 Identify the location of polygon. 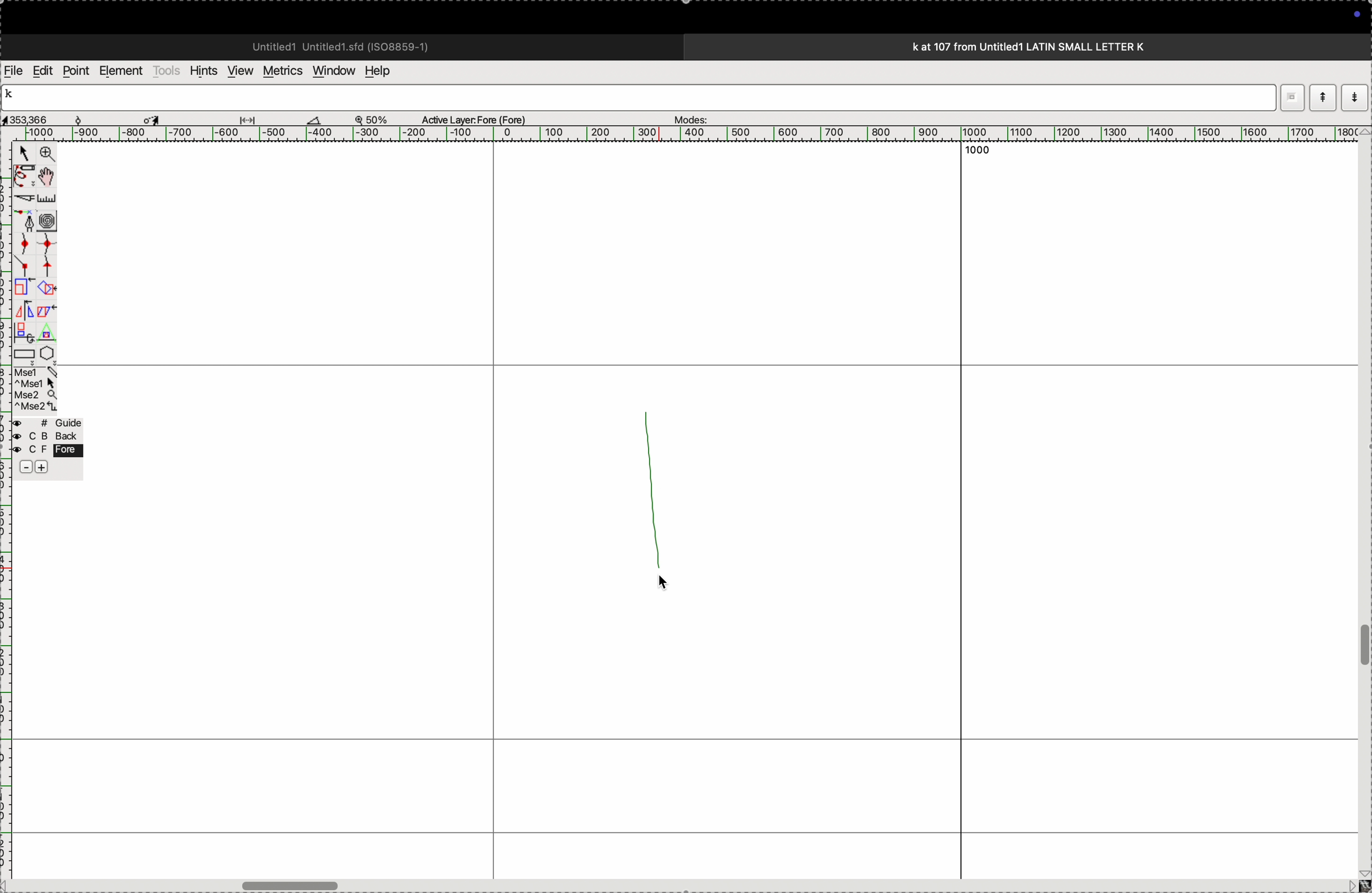
(47, 353).